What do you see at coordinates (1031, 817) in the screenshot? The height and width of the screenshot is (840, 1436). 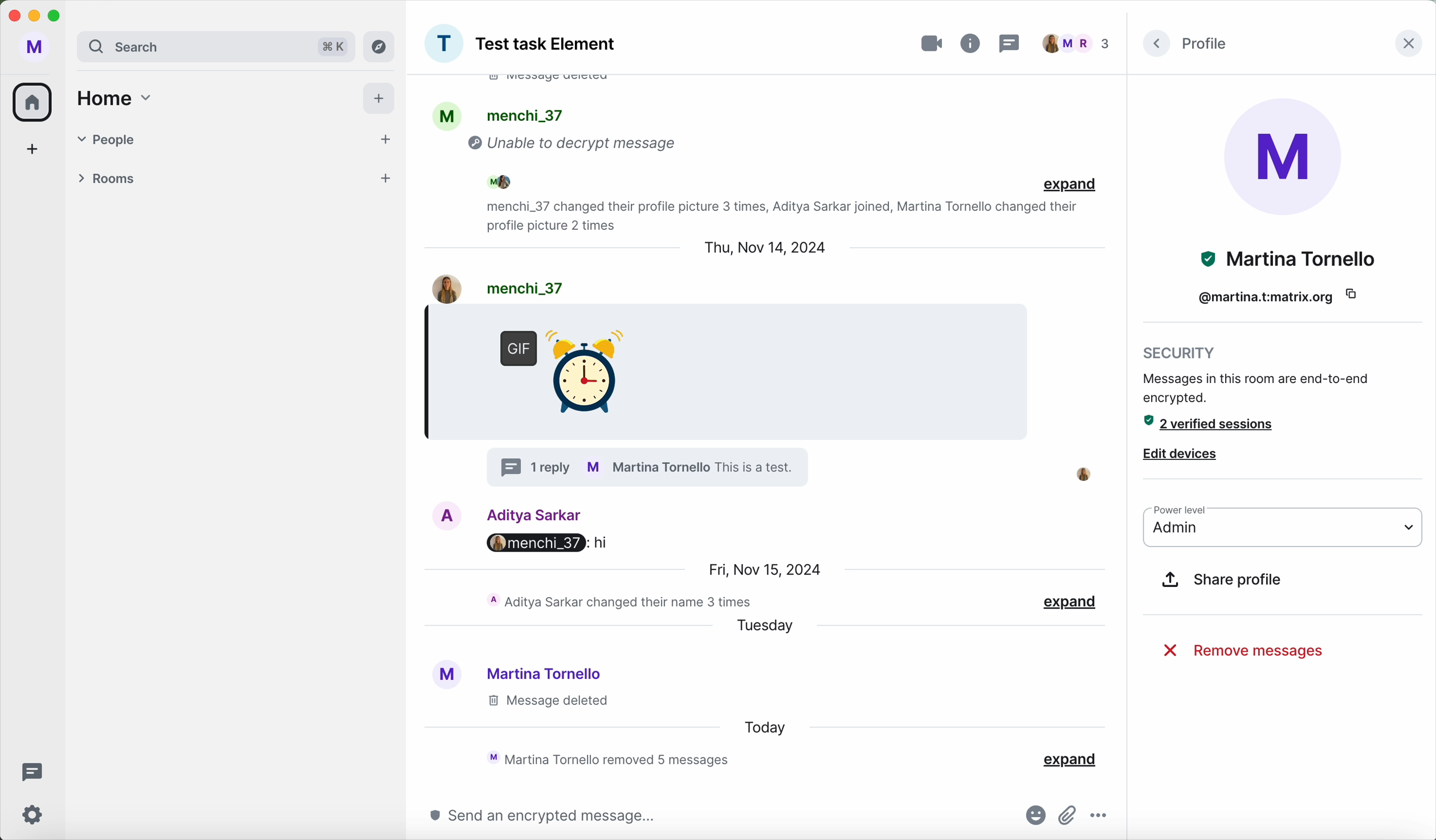 I see `emojis` at bounding box center [1031, 817].